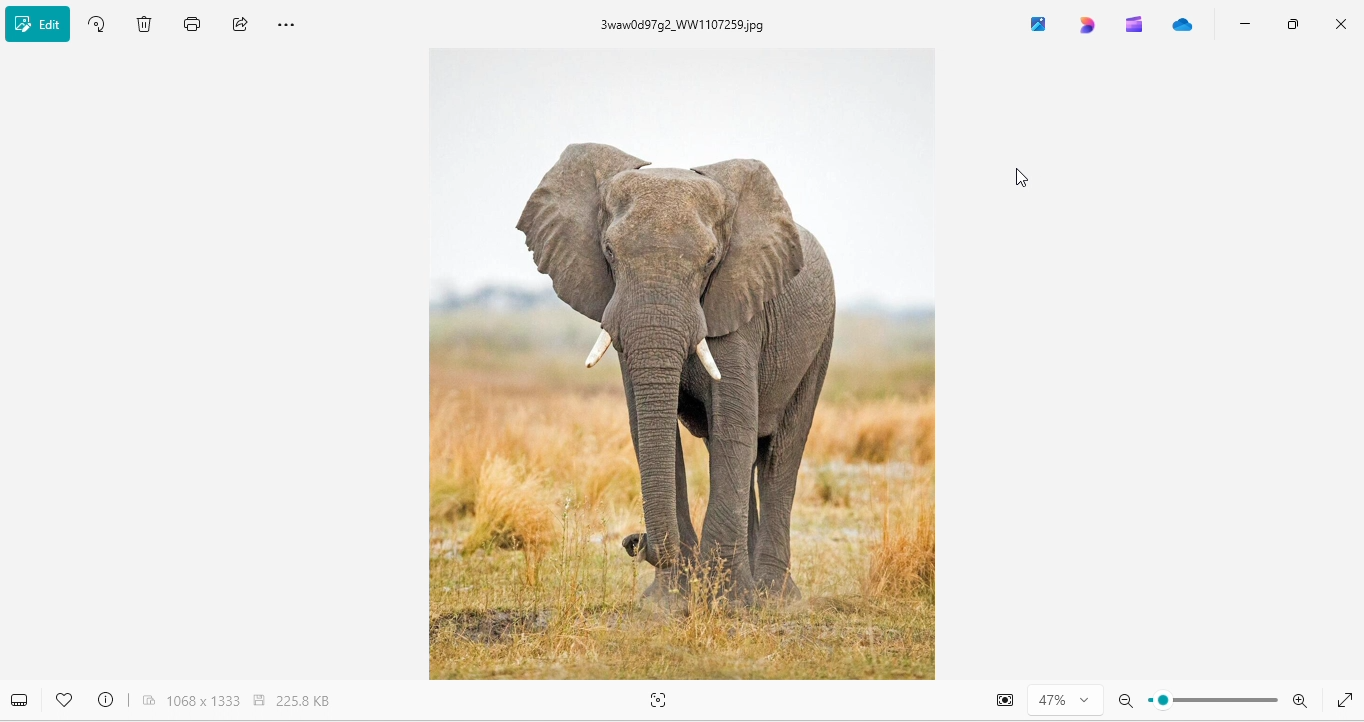 The image size is (1364, 722). Describe the element at coordinates (106, 704) in the screenshot. I see `info` at that location.